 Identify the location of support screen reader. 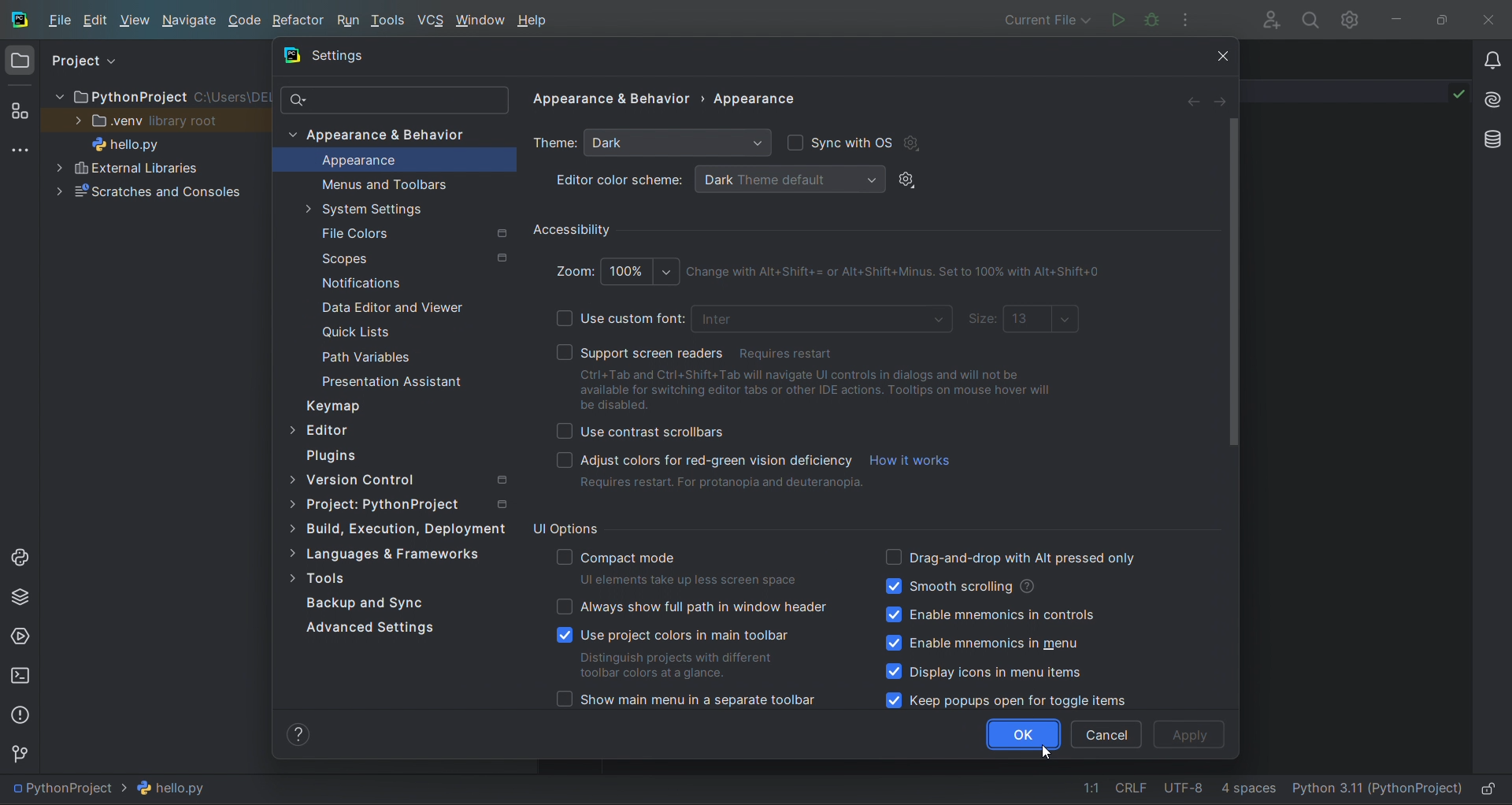
(654, 351).